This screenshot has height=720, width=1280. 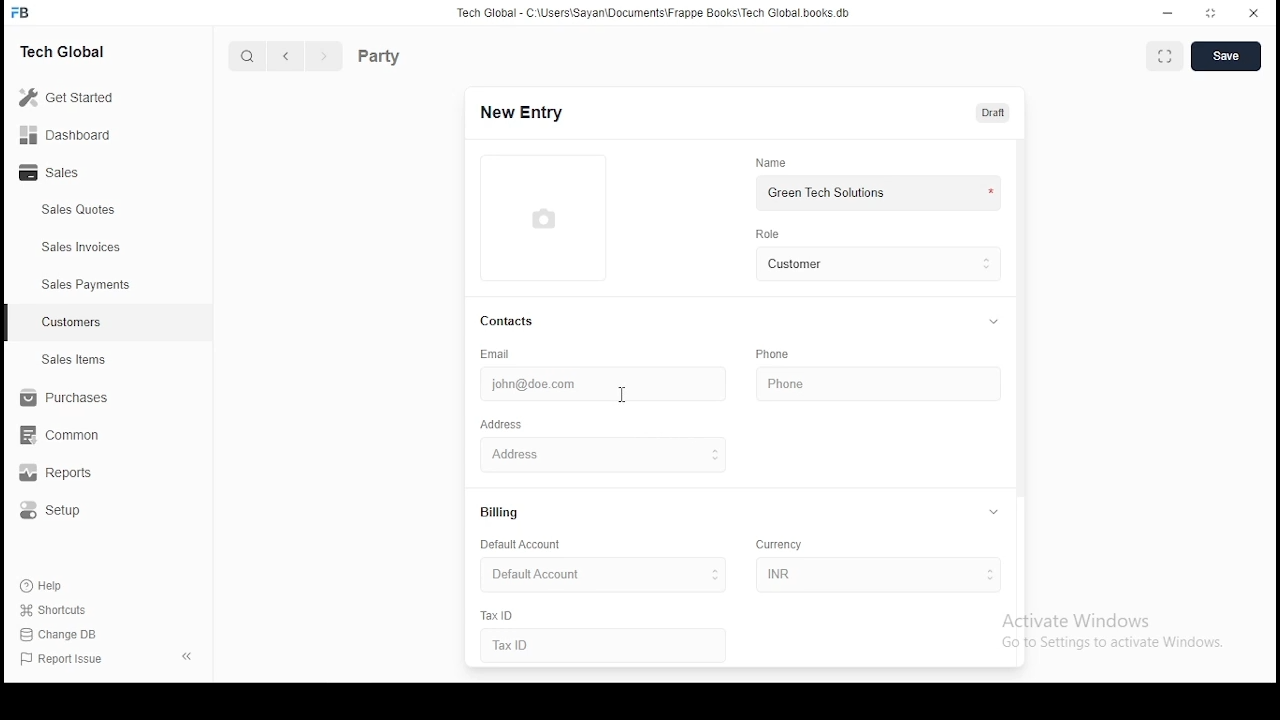 What do you see at coordinates (44, 589) in the screenshot?
I see `Help` at bounding box center [44, 589].